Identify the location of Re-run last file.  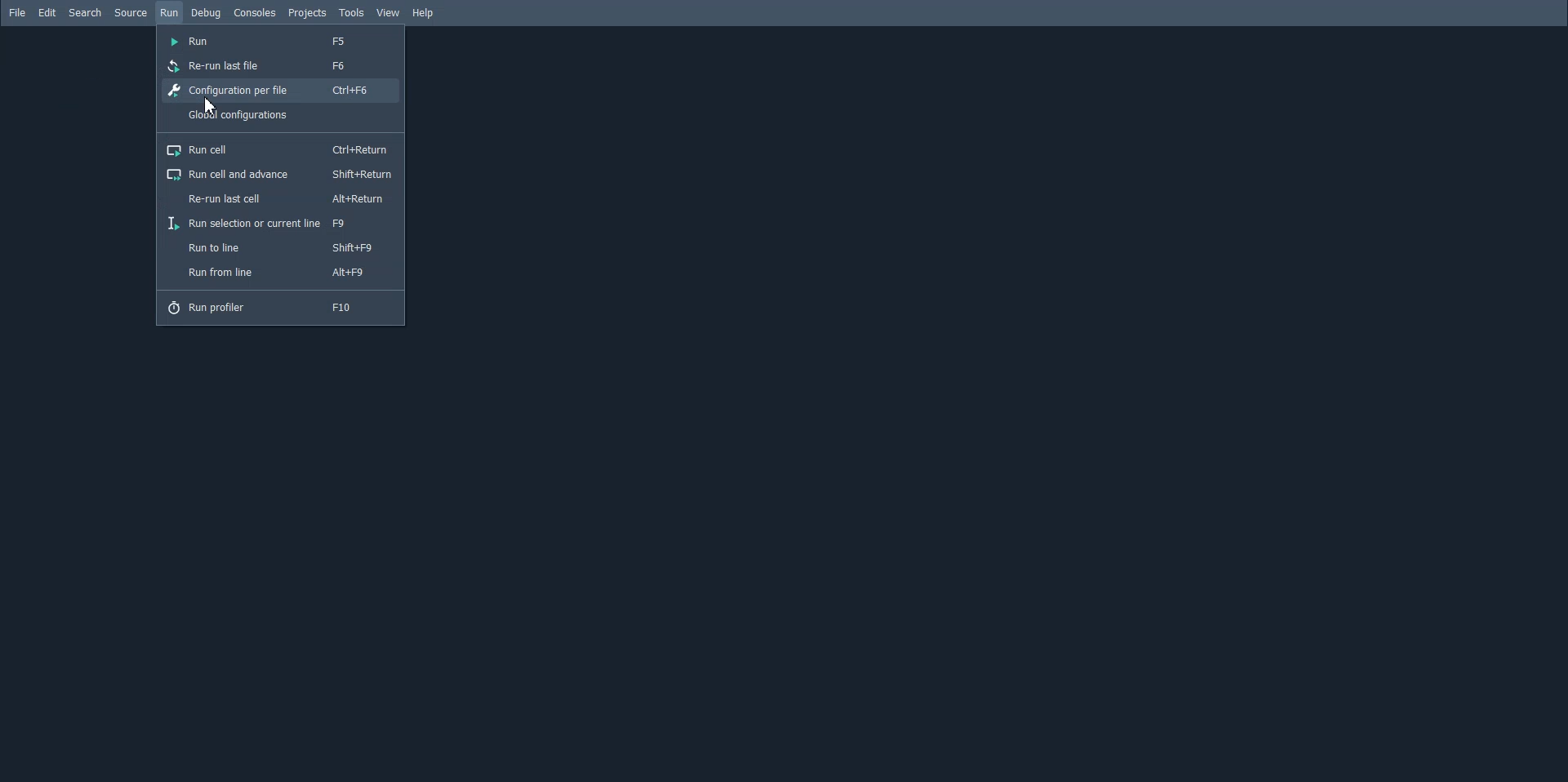
(276, 65).